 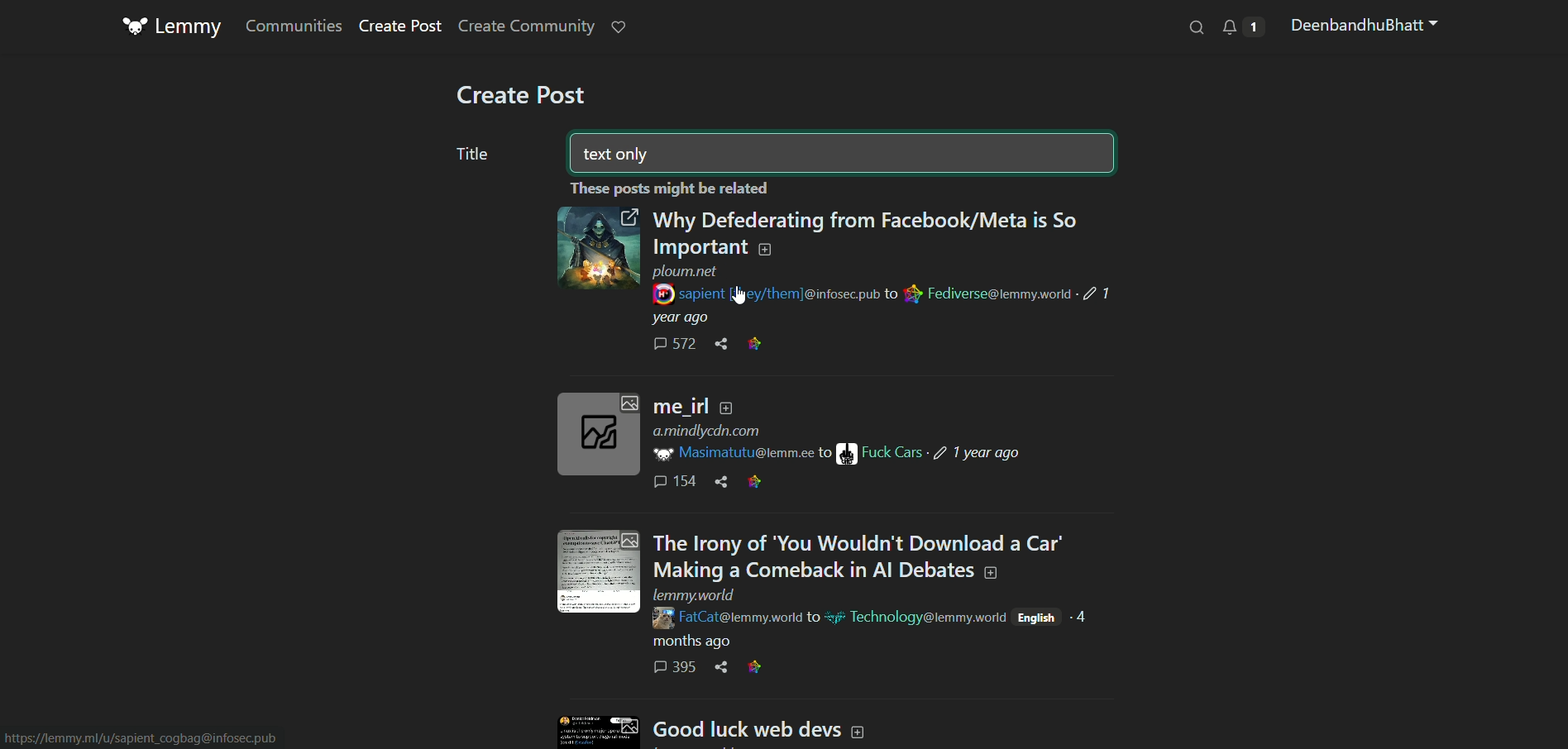 I want to click on Add, so click(x=726, y=408).